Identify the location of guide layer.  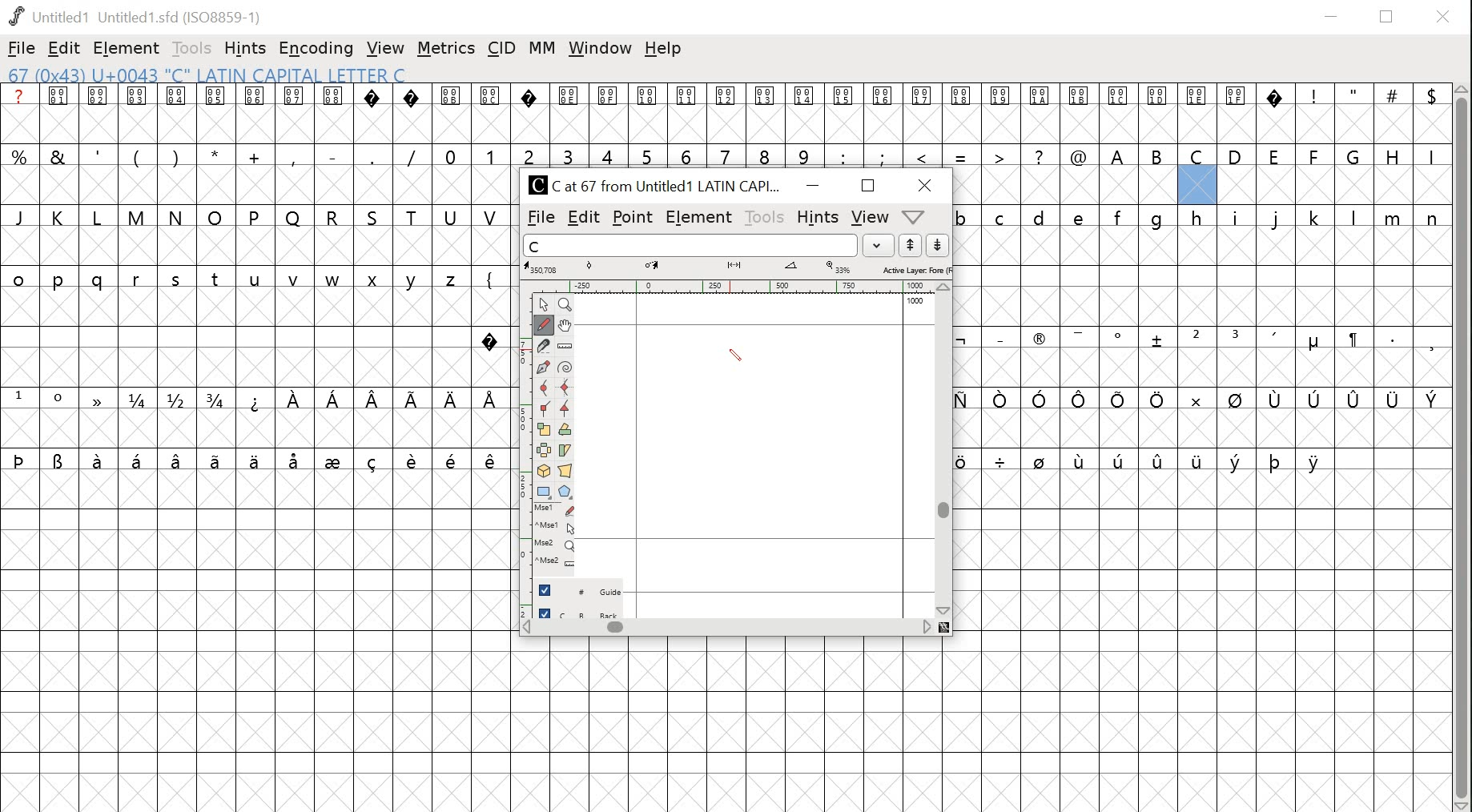
(582, 589).